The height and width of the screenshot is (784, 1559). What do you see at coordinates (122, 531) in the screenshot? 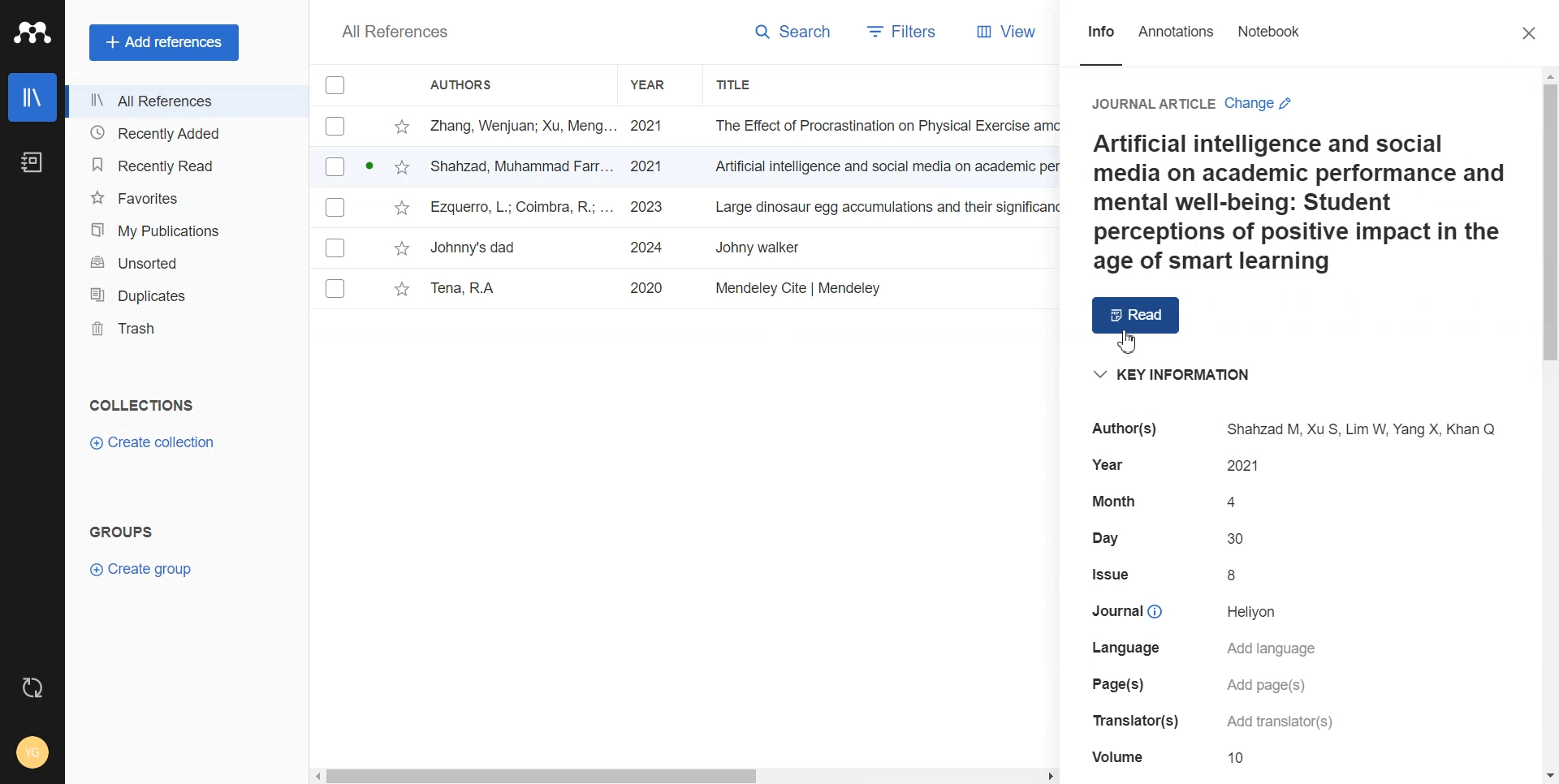
I see `Group` at bounding box center [122, 531].